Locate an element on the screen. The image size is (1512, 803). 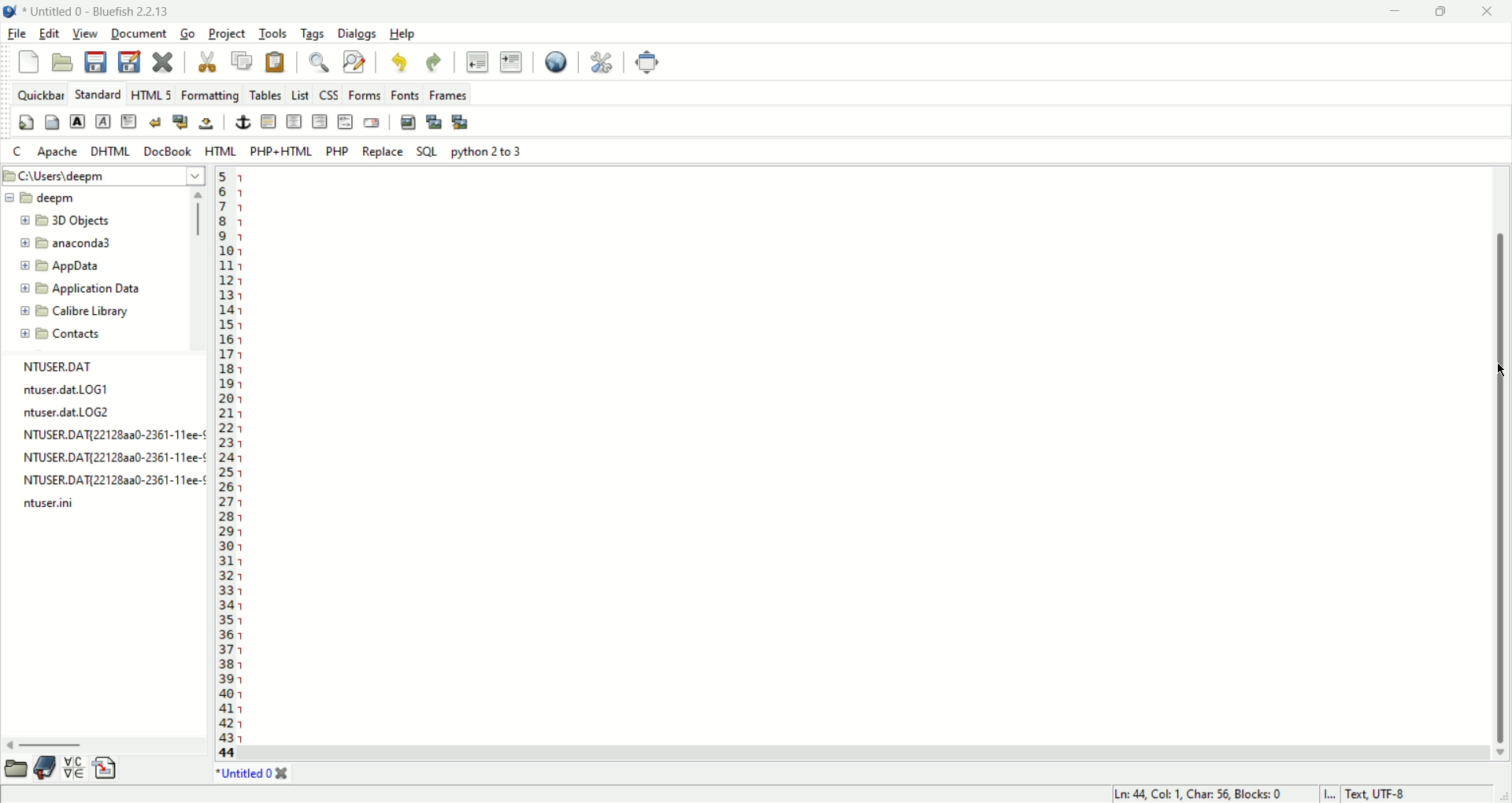
fonts is located at coordinates (405, 94).